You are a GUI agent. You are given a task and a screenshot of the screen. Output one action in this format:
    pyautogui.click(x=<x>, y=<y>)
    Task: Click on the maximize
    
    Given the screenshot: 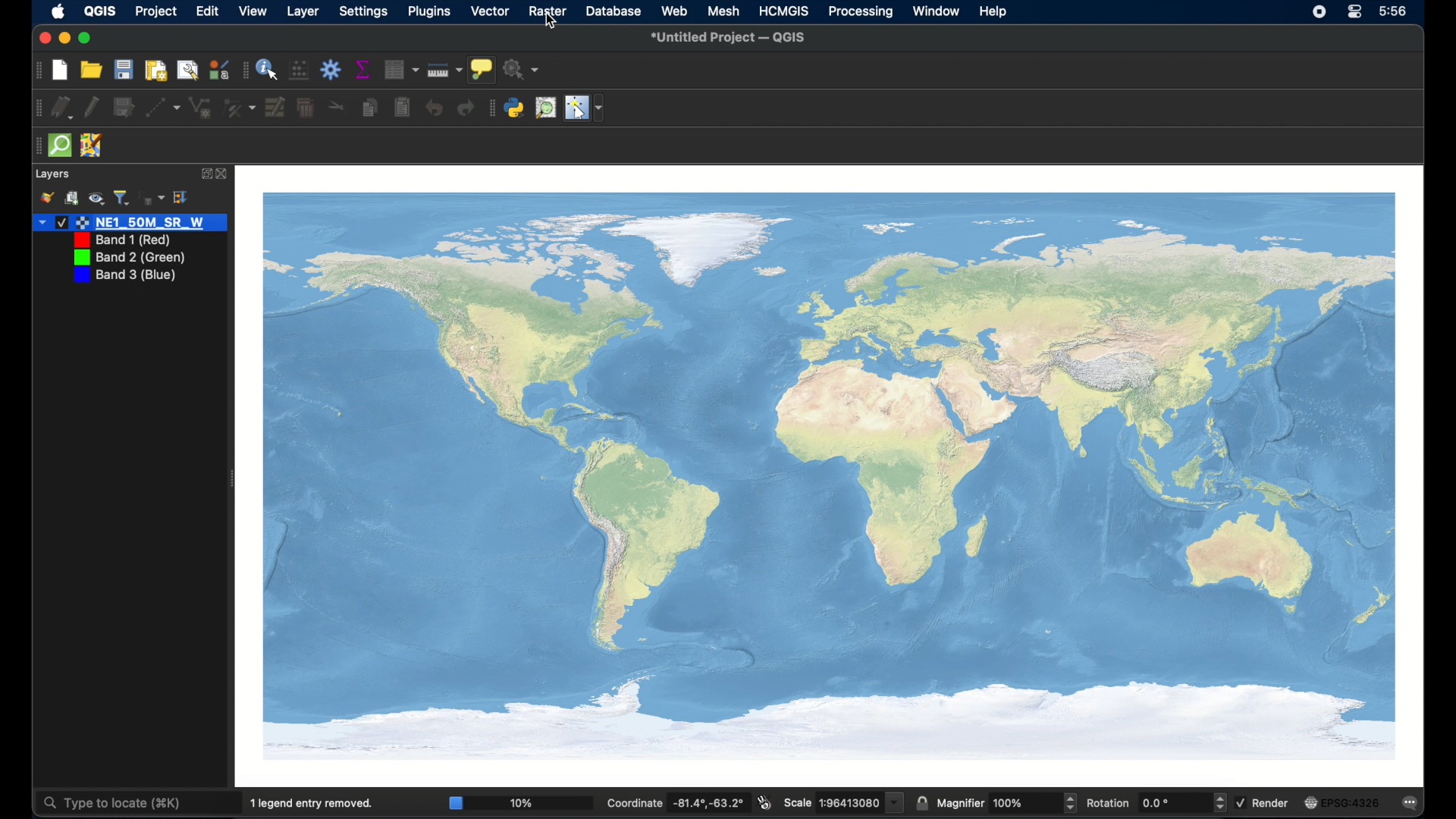 What is the action you would take?
    pyautogui.click(x=86, y=39)
    